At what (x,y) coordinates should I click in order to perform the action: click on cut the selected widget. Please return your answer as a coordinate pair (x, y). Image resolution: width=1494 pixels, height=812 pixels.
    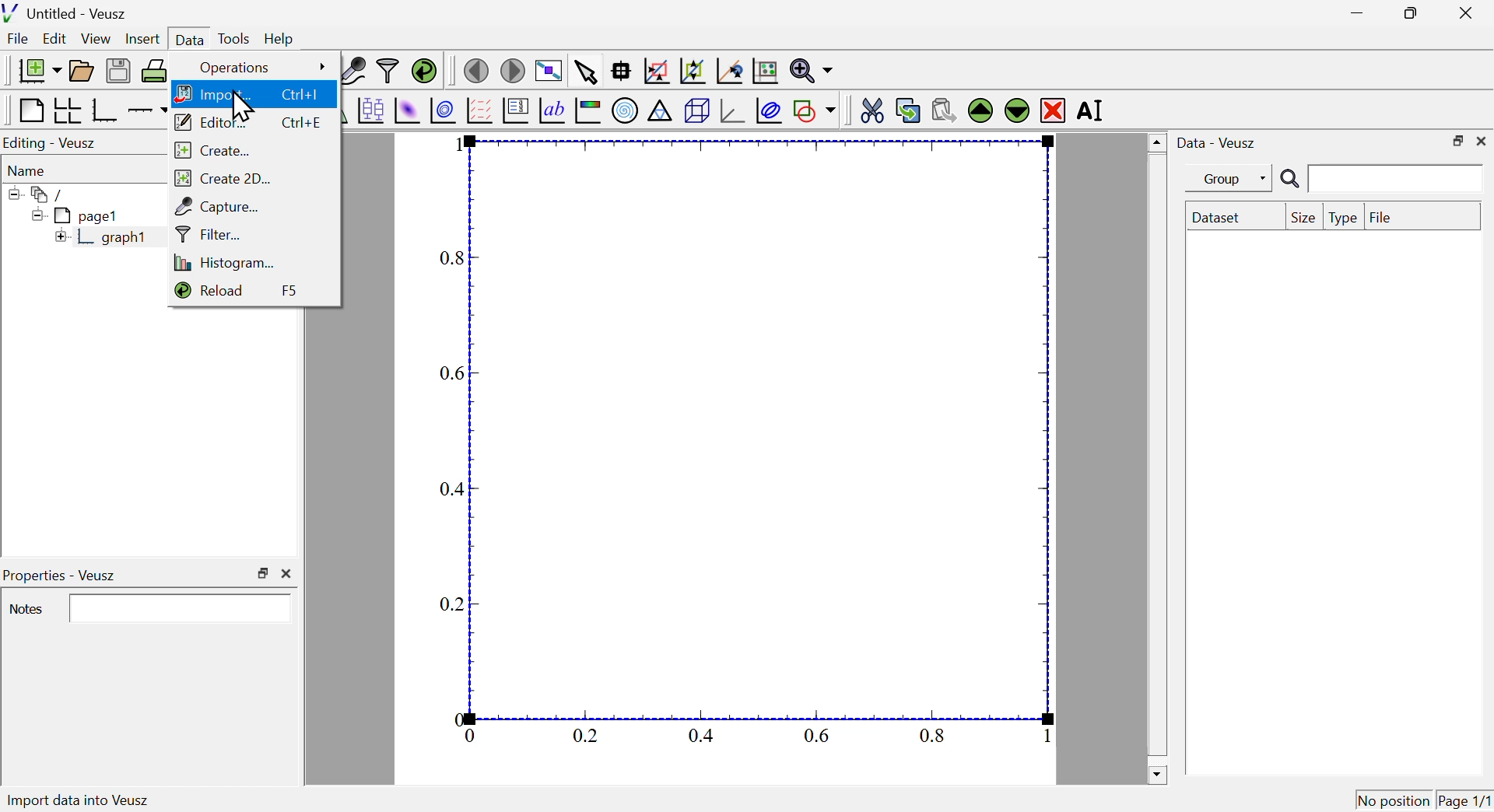
    Looking at the image, I should click on (869, 109).